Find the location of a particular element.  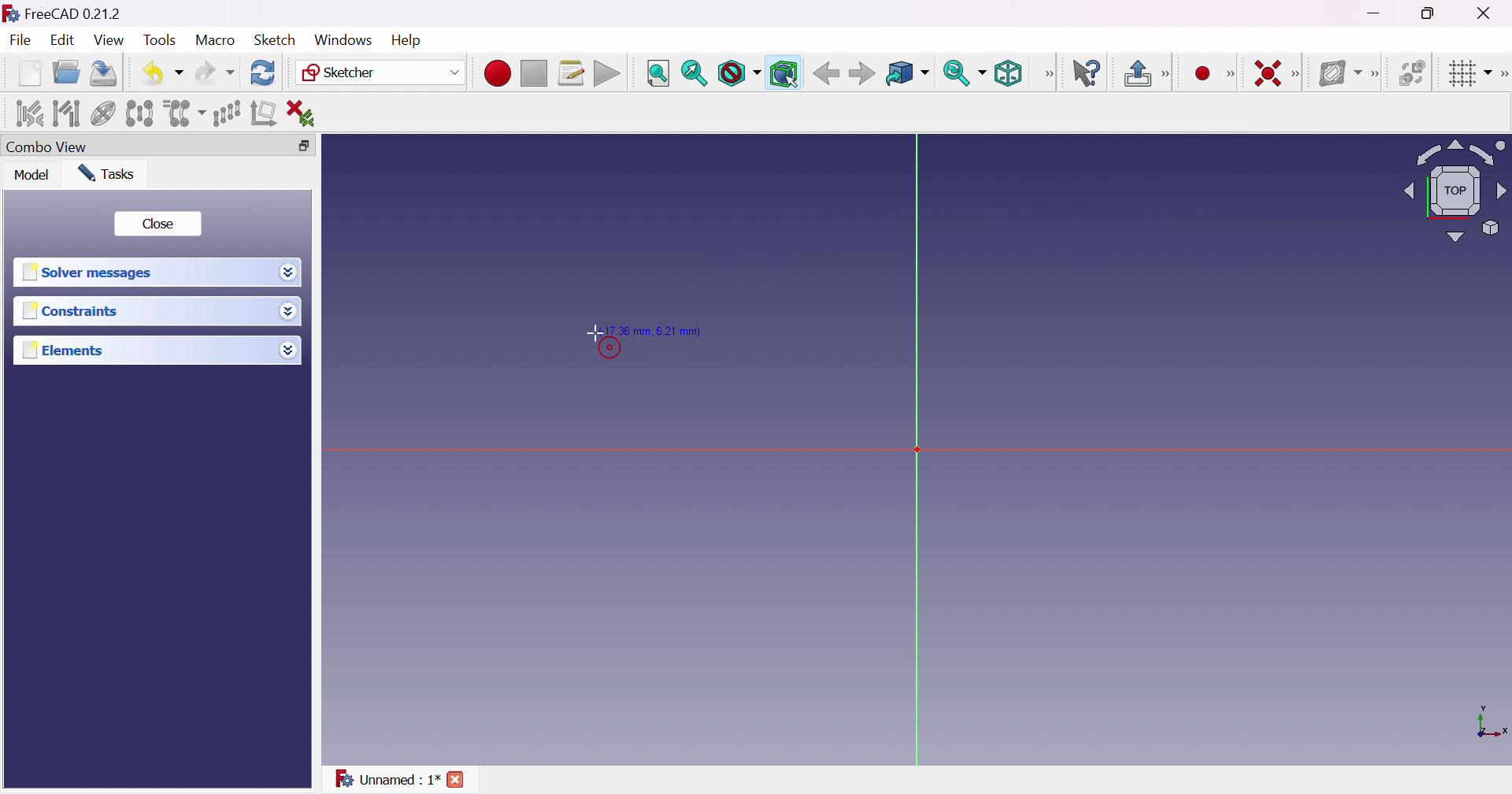

Open is located at coordinates (66, 72).